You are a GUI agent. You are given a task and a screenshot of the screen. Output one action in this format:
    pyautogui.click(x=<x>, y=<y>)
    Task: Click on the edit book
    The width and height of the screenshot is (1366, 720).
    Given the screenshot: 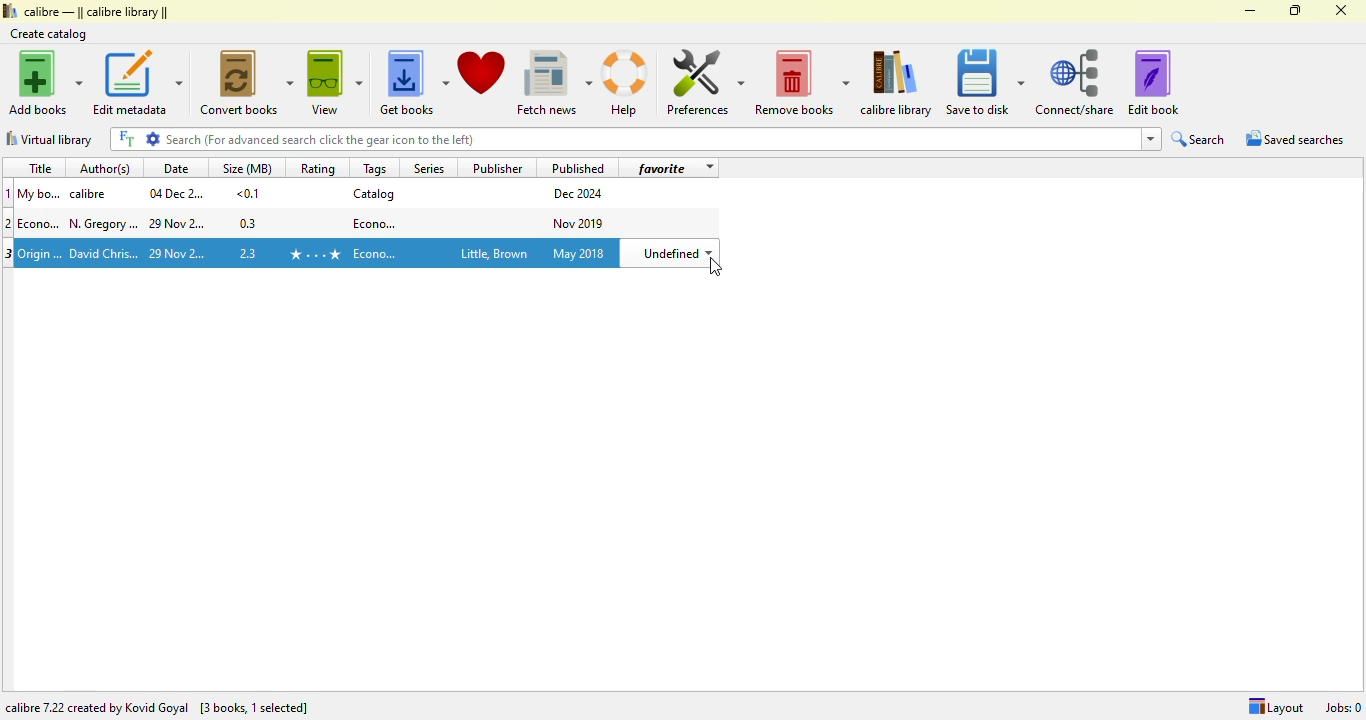 What is the action you would take?
    pyautogui.click(x=1153, y=82)
    